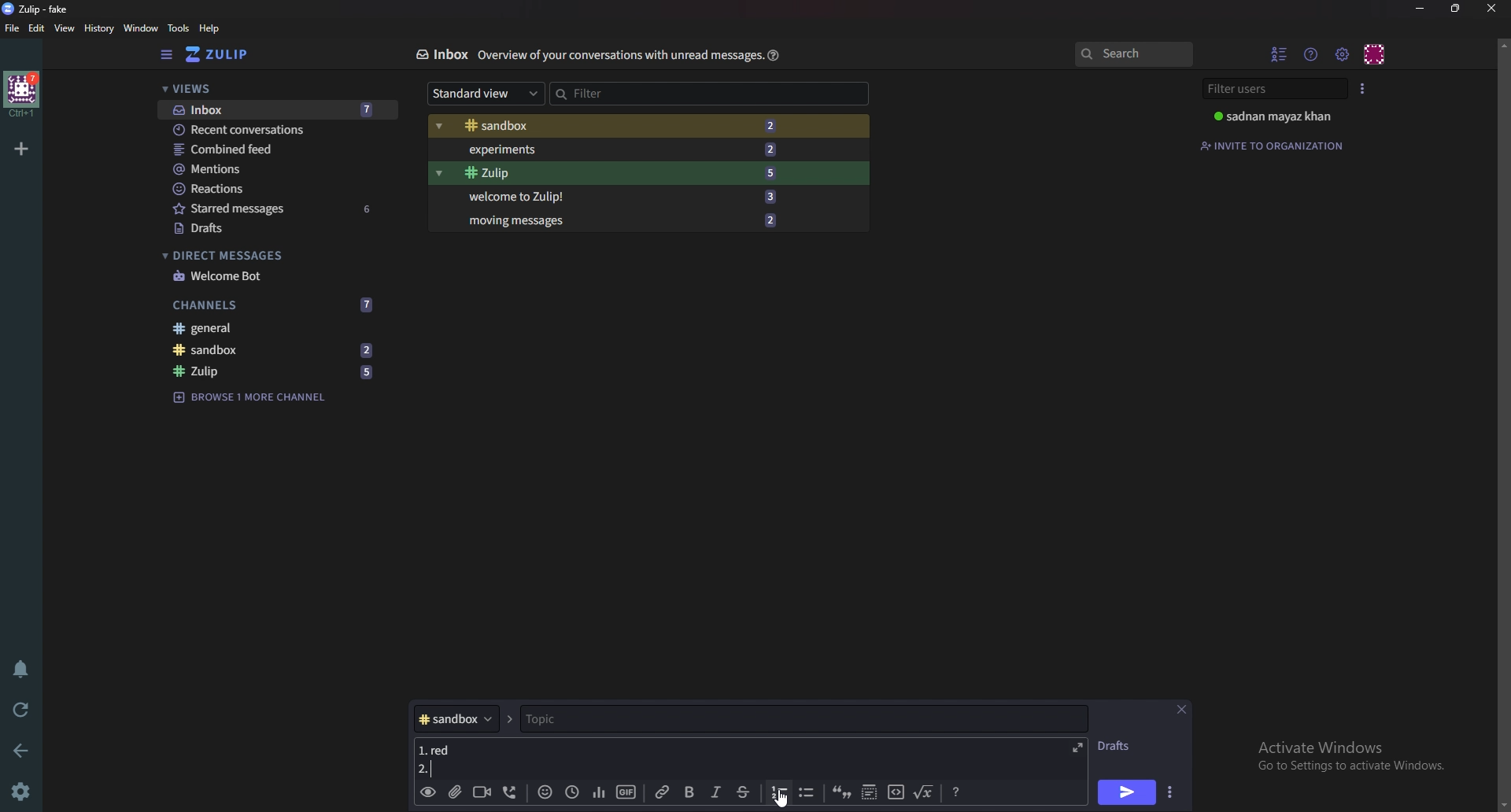 This screenshot has width=1511, height=812. What do you see at coordinates (1120, 746) in the screenshot?
I see `Drafts` at bounding box center [1120, 746].